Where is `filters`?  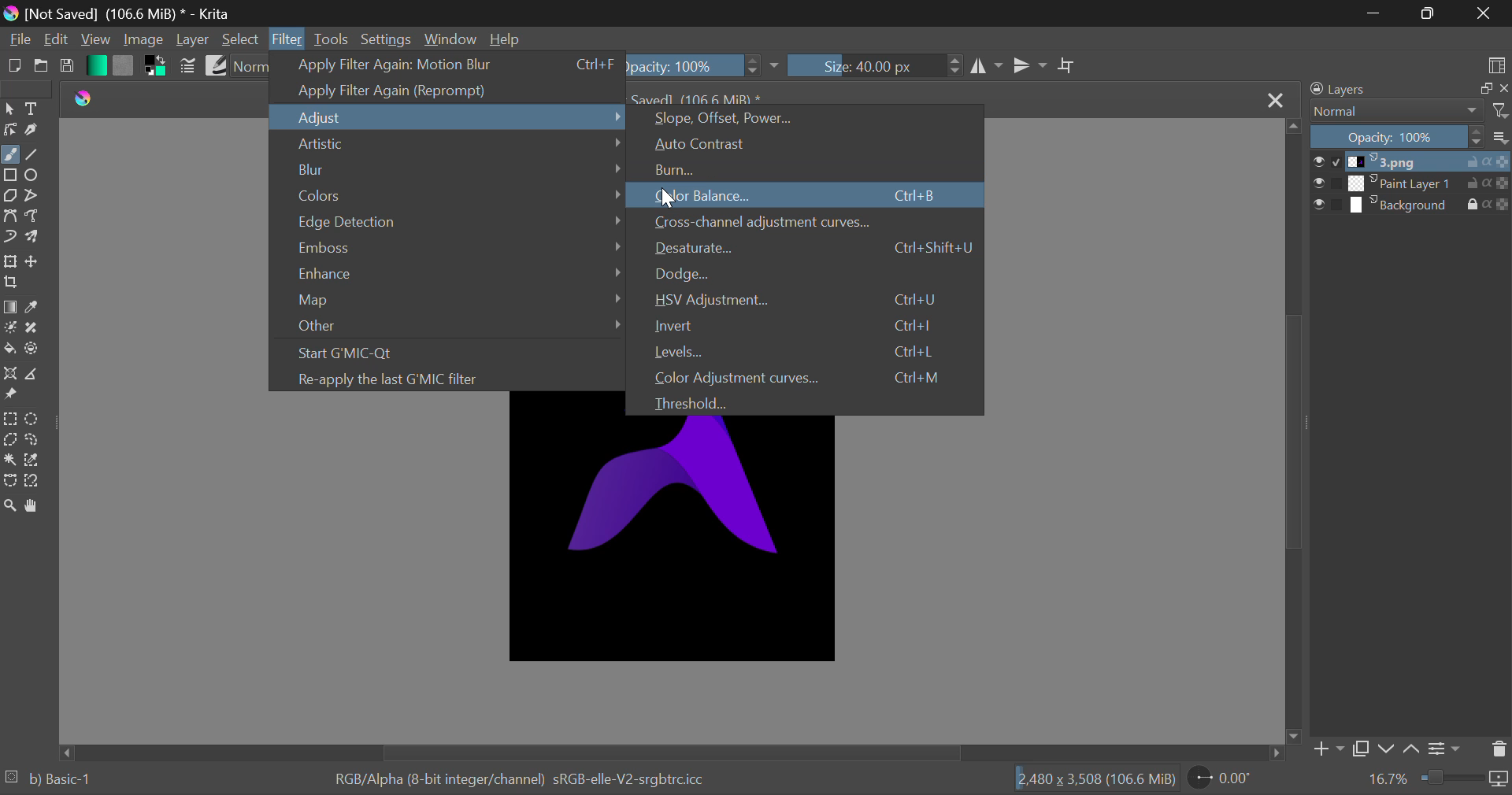
filters is located at coordinates (1498, 111).